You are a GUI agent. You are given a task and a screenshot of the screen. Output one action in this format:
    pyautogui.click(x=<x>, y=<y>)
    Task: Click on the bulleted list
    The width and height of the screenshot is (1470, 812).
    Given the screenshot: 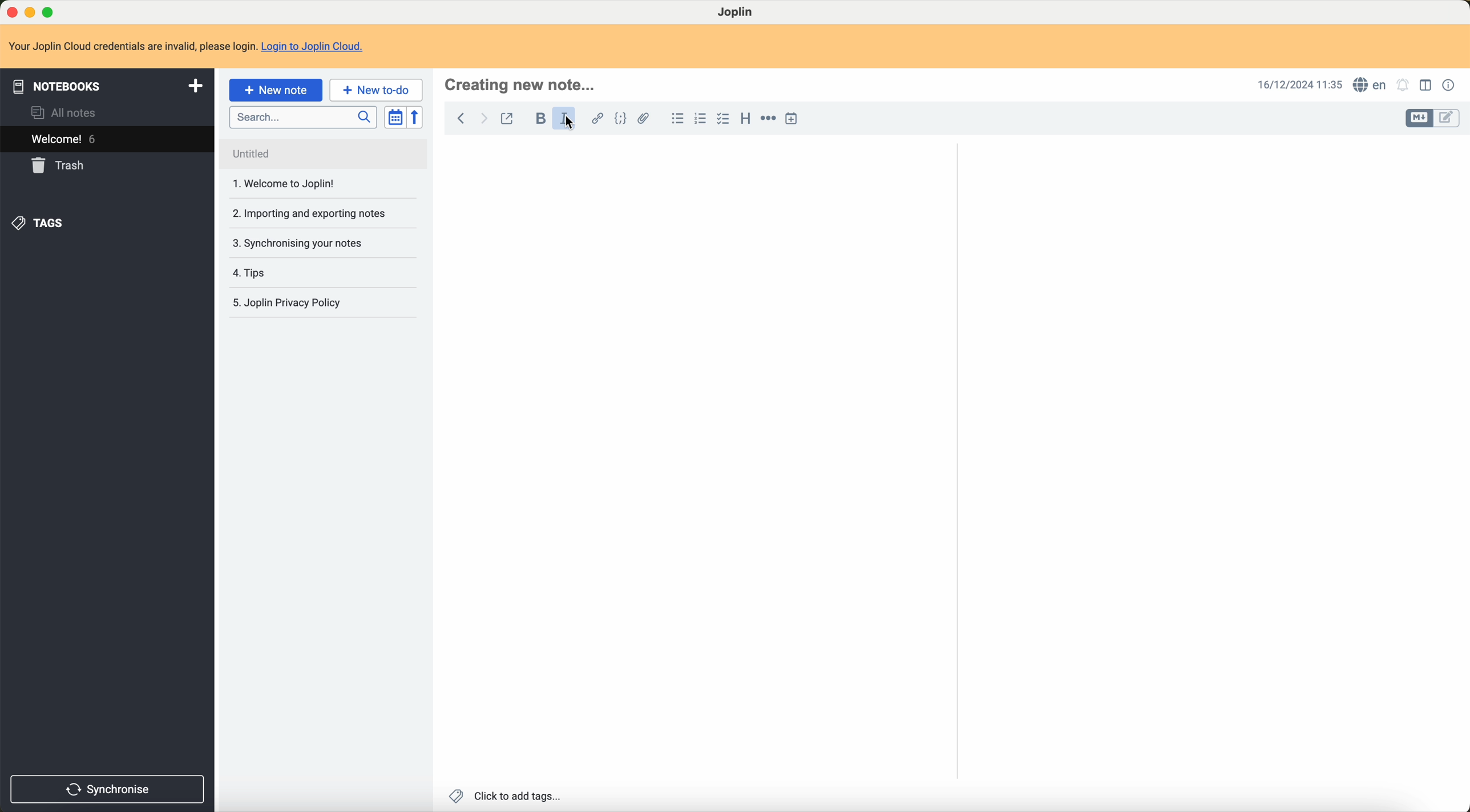 What is the action you would take?
    pyautogui.click(x=676, y=118)
    